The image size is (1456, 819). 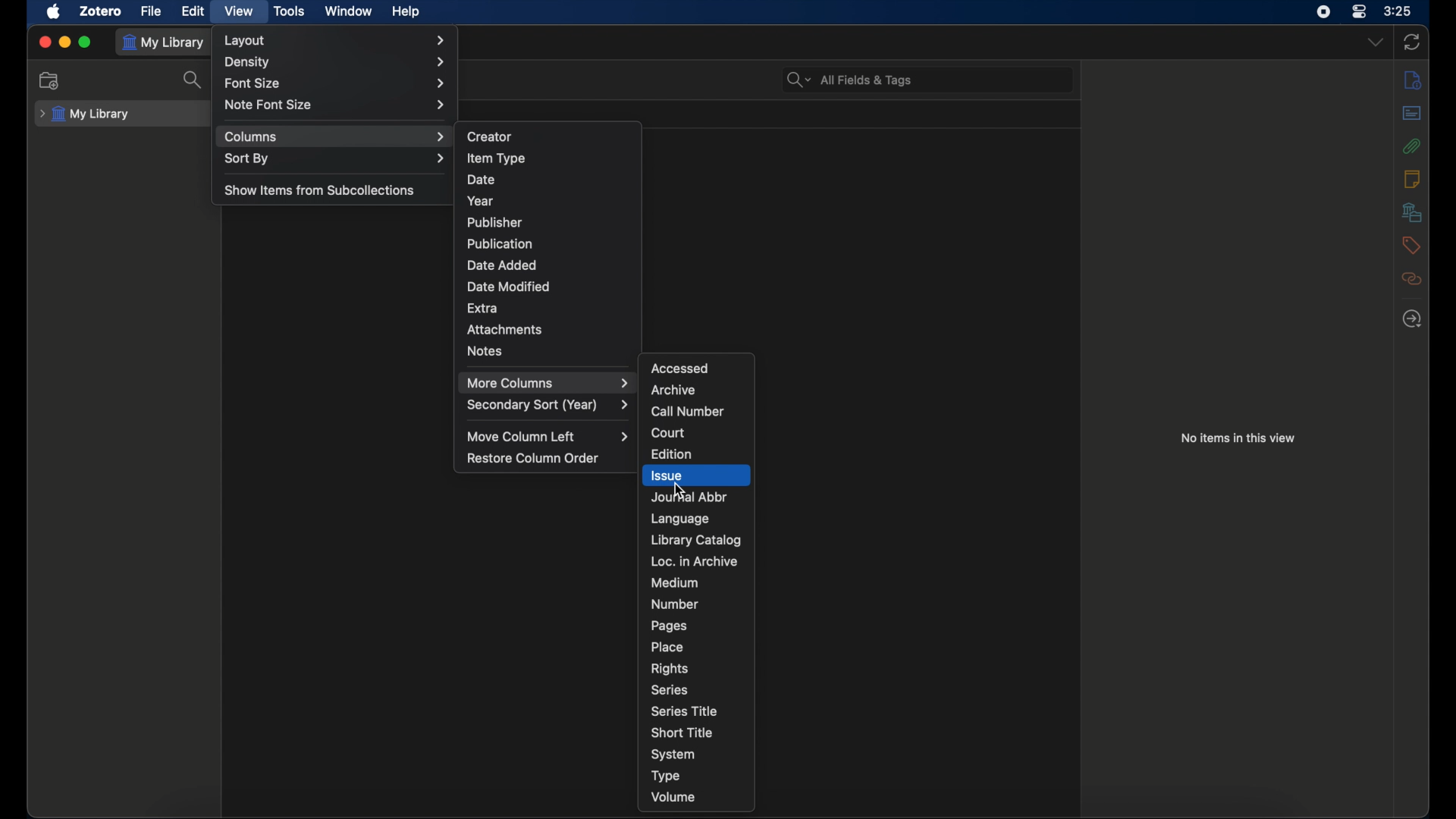 I want to click on zotero, so click(x=100, y=11).